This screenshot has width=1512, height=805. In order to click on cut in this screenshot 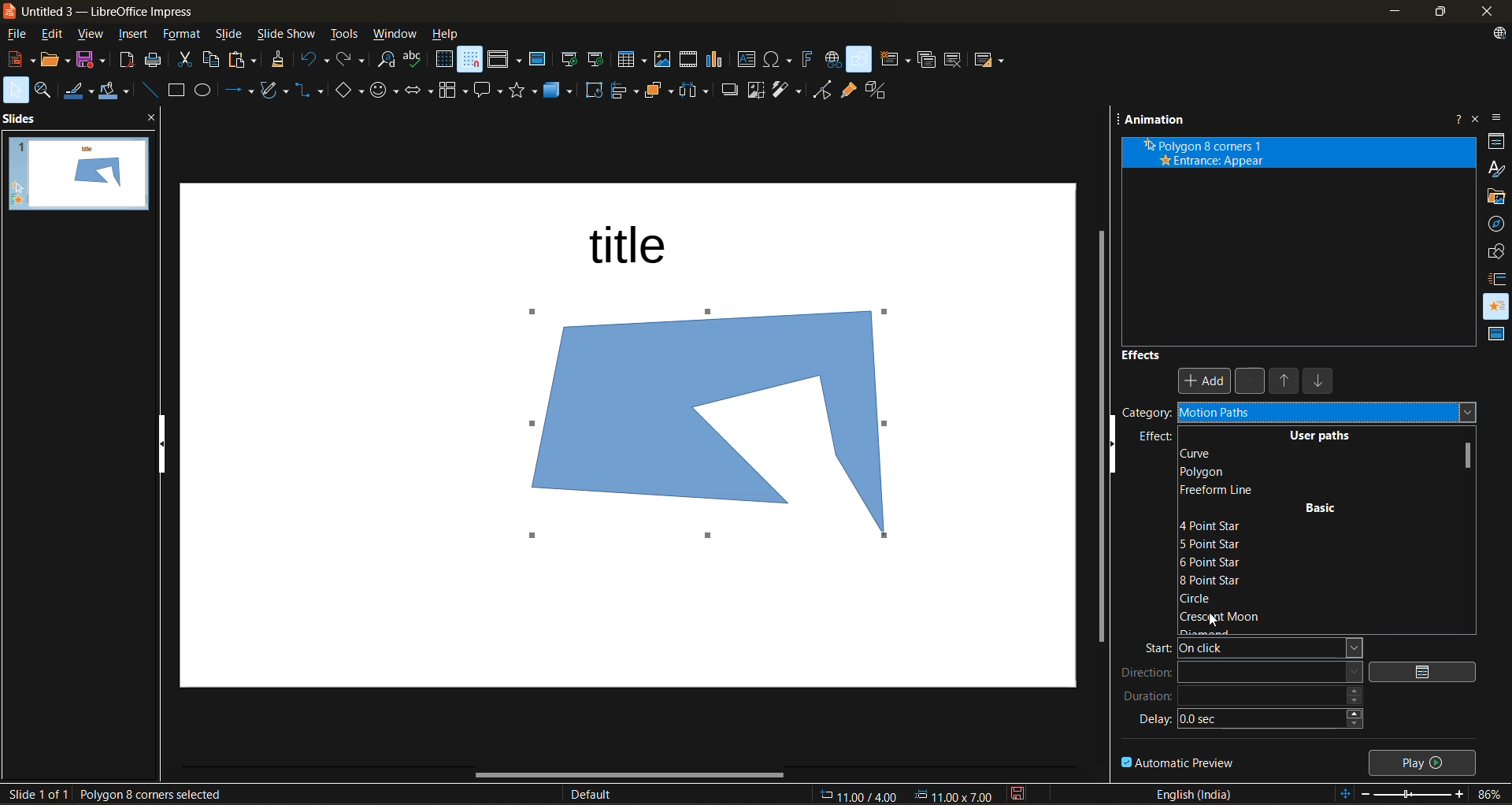, I will do `click(187, 61)`.